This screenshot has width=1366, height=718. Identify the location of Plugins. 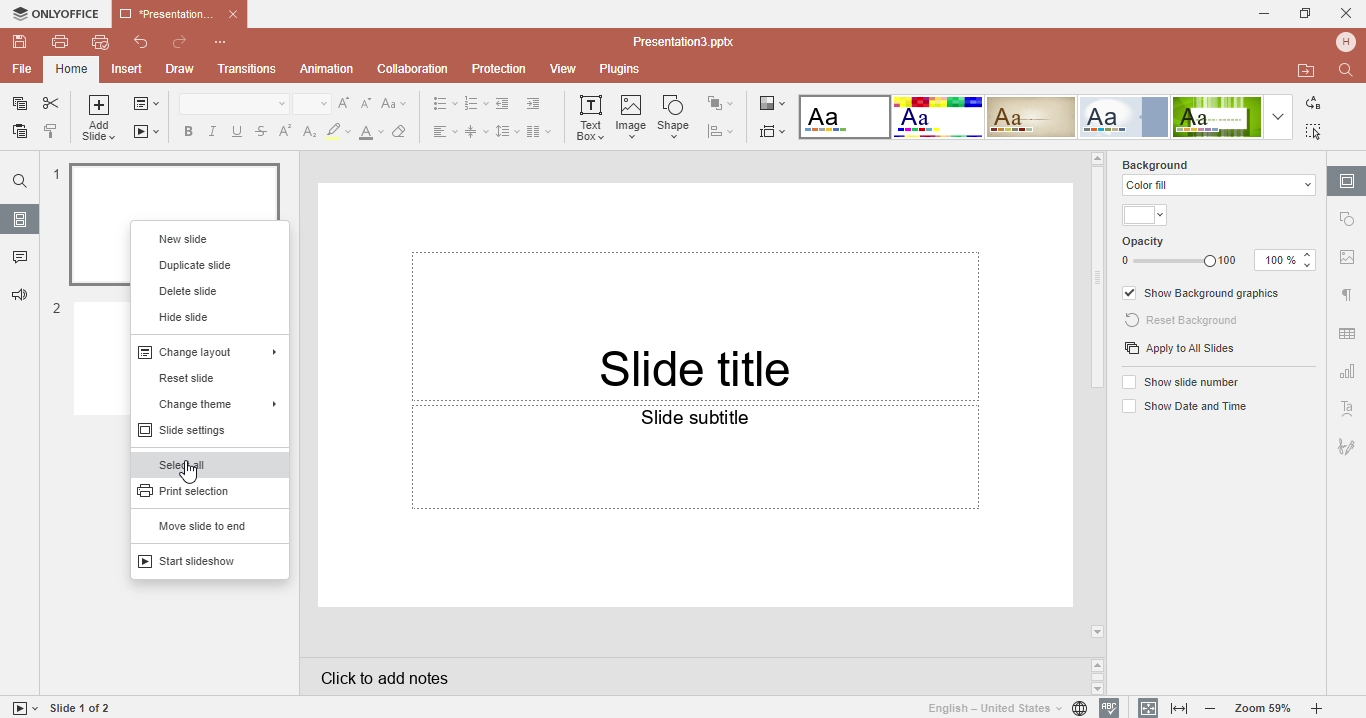
(629, 70).